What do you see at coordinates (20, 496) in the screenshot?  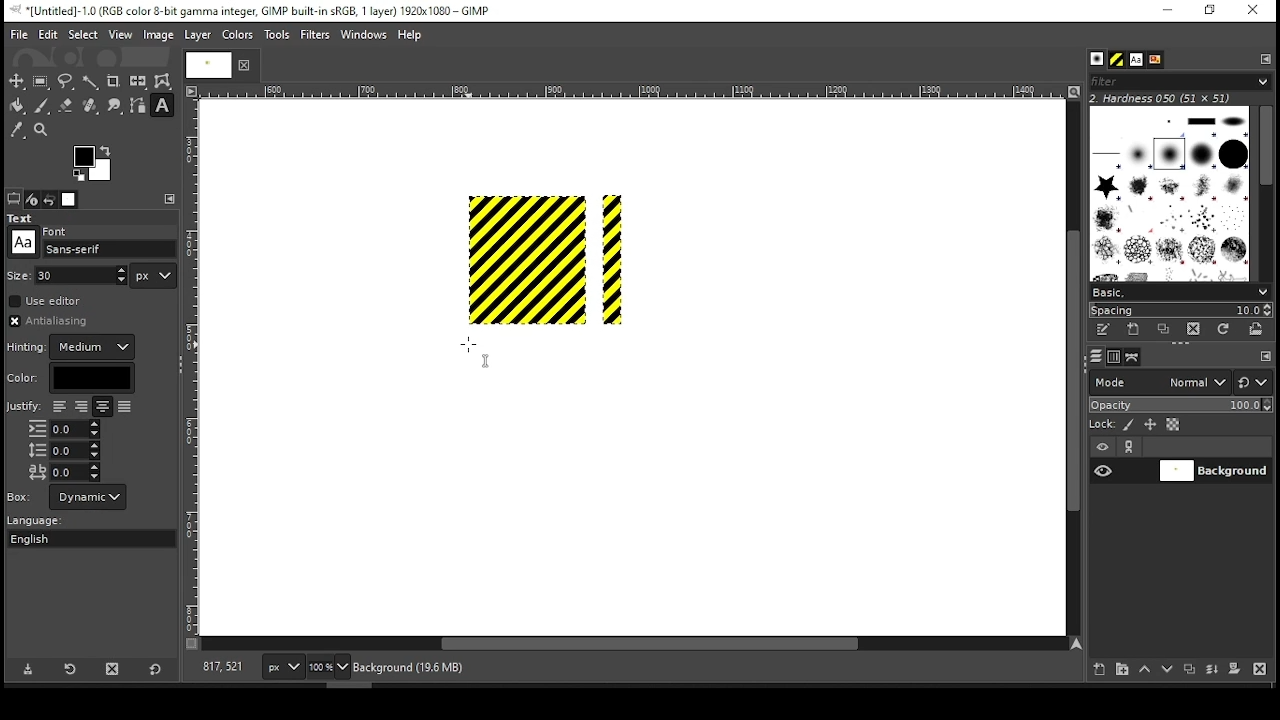 I see `` at bounding box center [20, 496].